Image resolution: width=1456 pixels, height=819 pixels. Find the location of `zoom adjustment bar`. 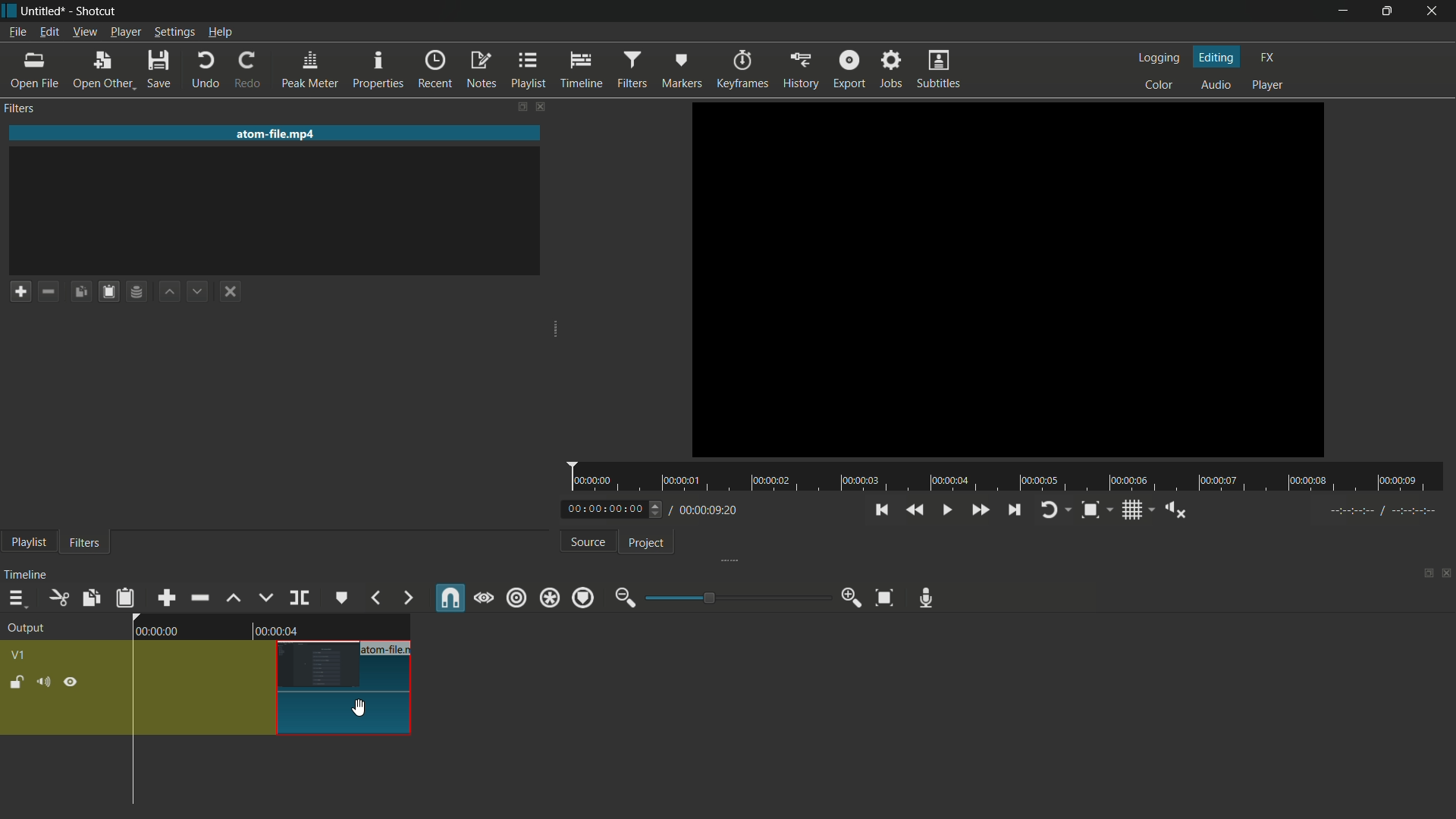

zoom adjustment bar is located at coordinates (735, 597).